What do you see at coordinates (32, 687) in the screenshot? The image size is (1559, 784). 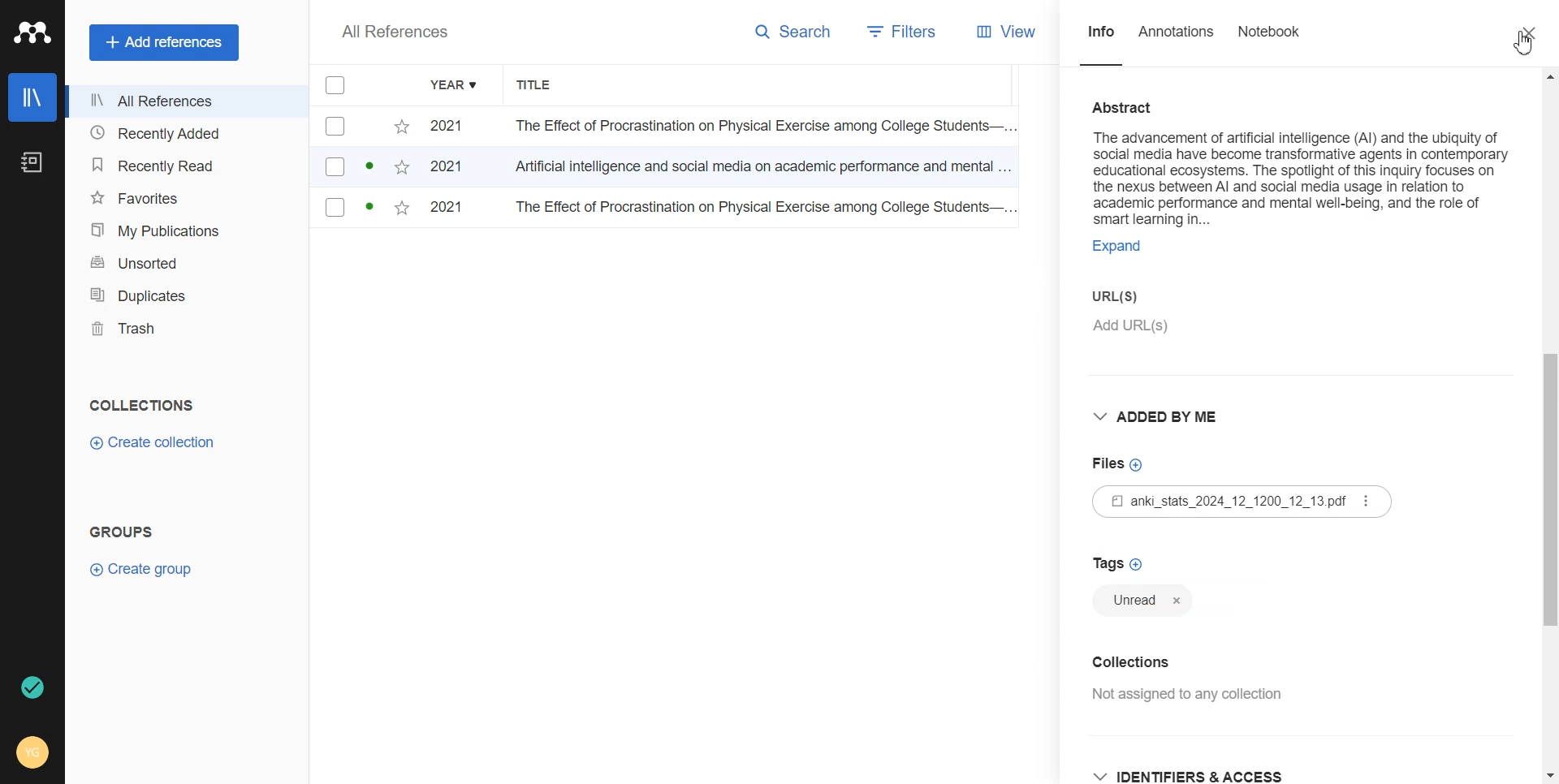 I see `Auto sync` at bounding box center [32, 687].